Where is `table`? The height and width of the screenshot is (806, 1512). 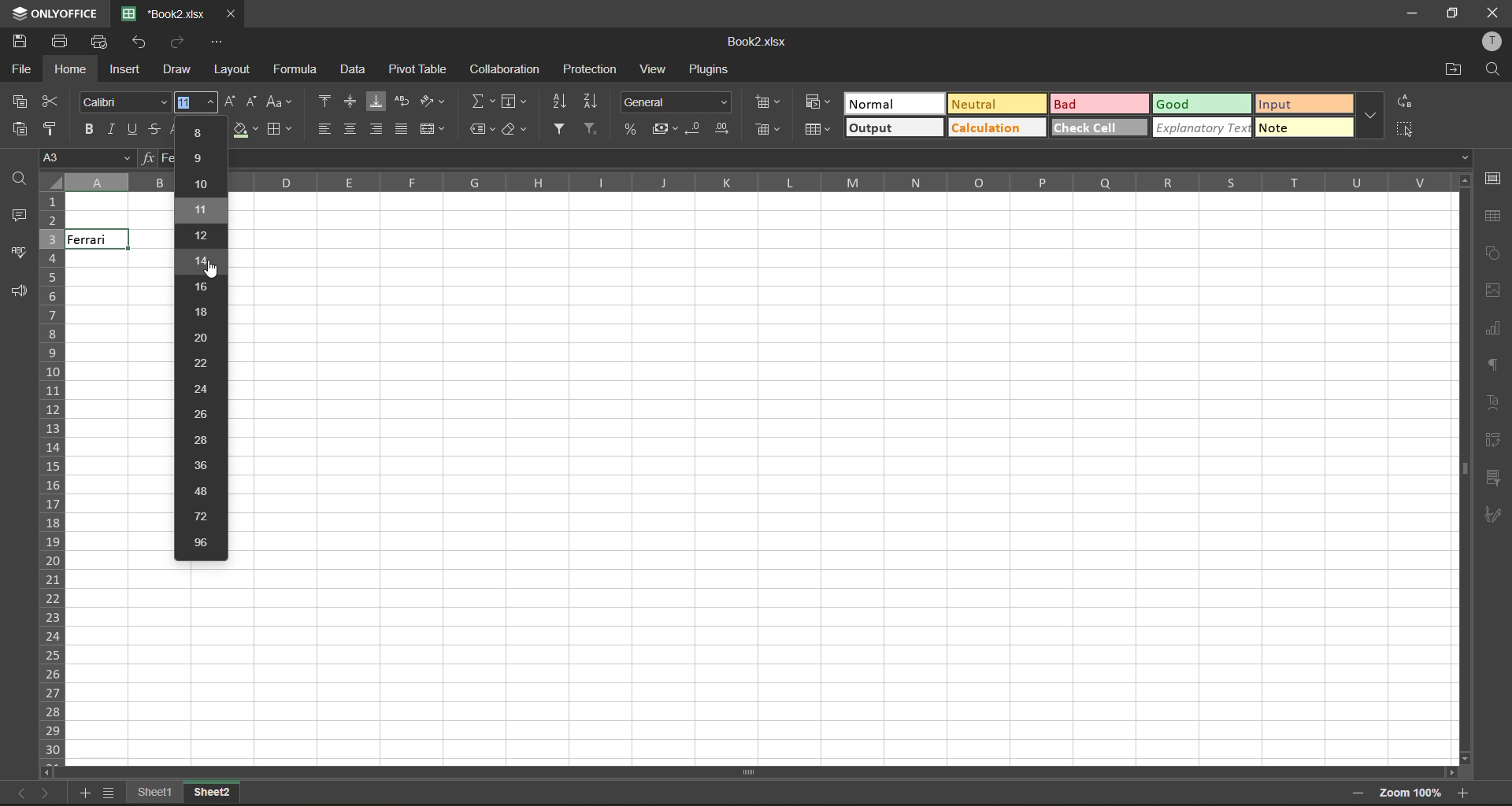
table is located at coordinates (1497, 214).